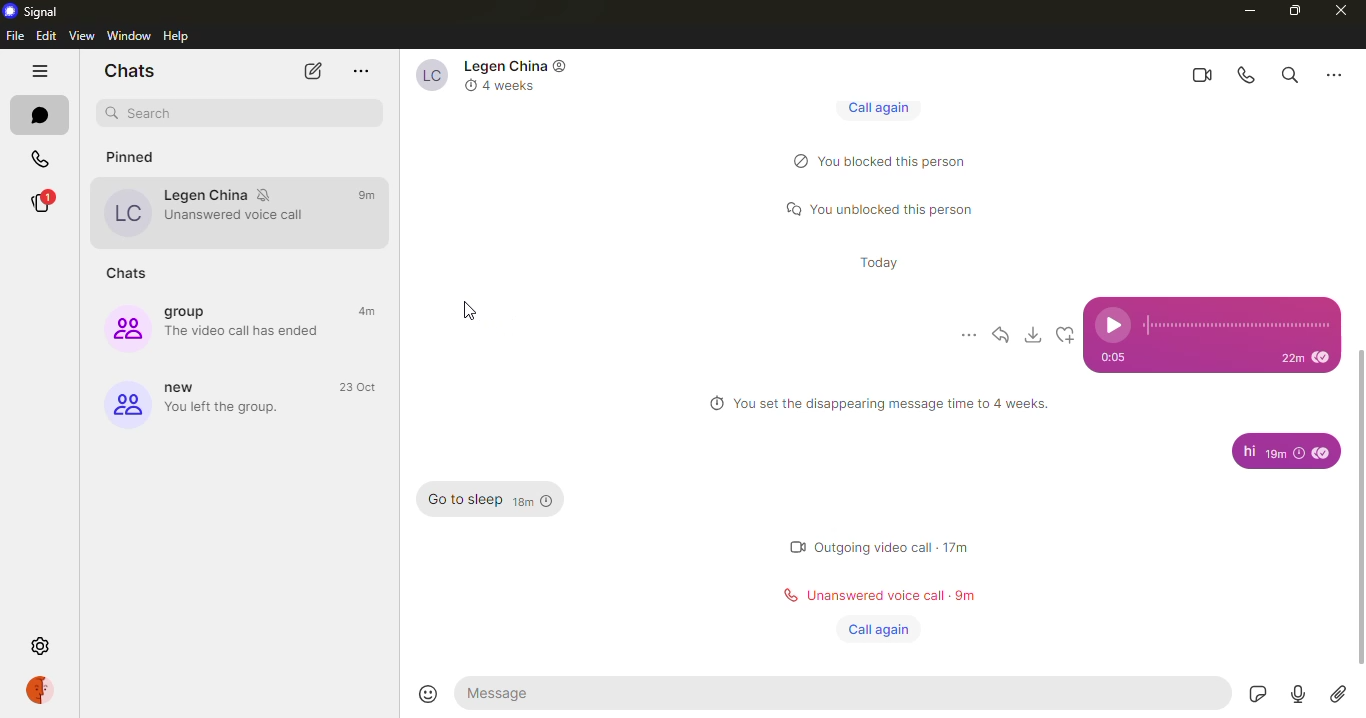 The image size is (1366, 718). I want to click on more, so click(361, 69).